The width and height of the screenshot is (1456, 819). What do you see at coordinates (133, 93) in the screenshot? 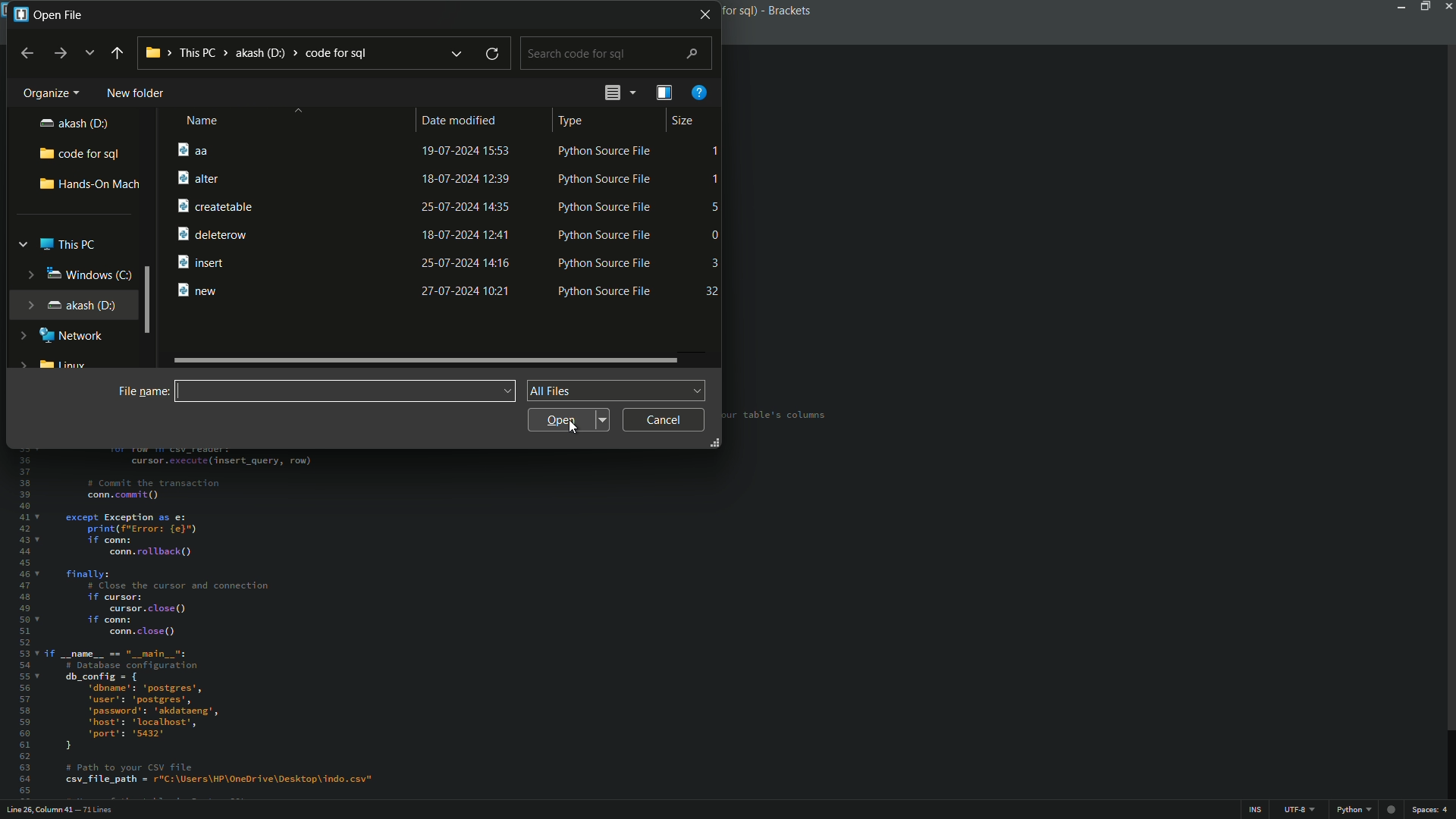
I see `new folder` at bounding box center [133, 93].